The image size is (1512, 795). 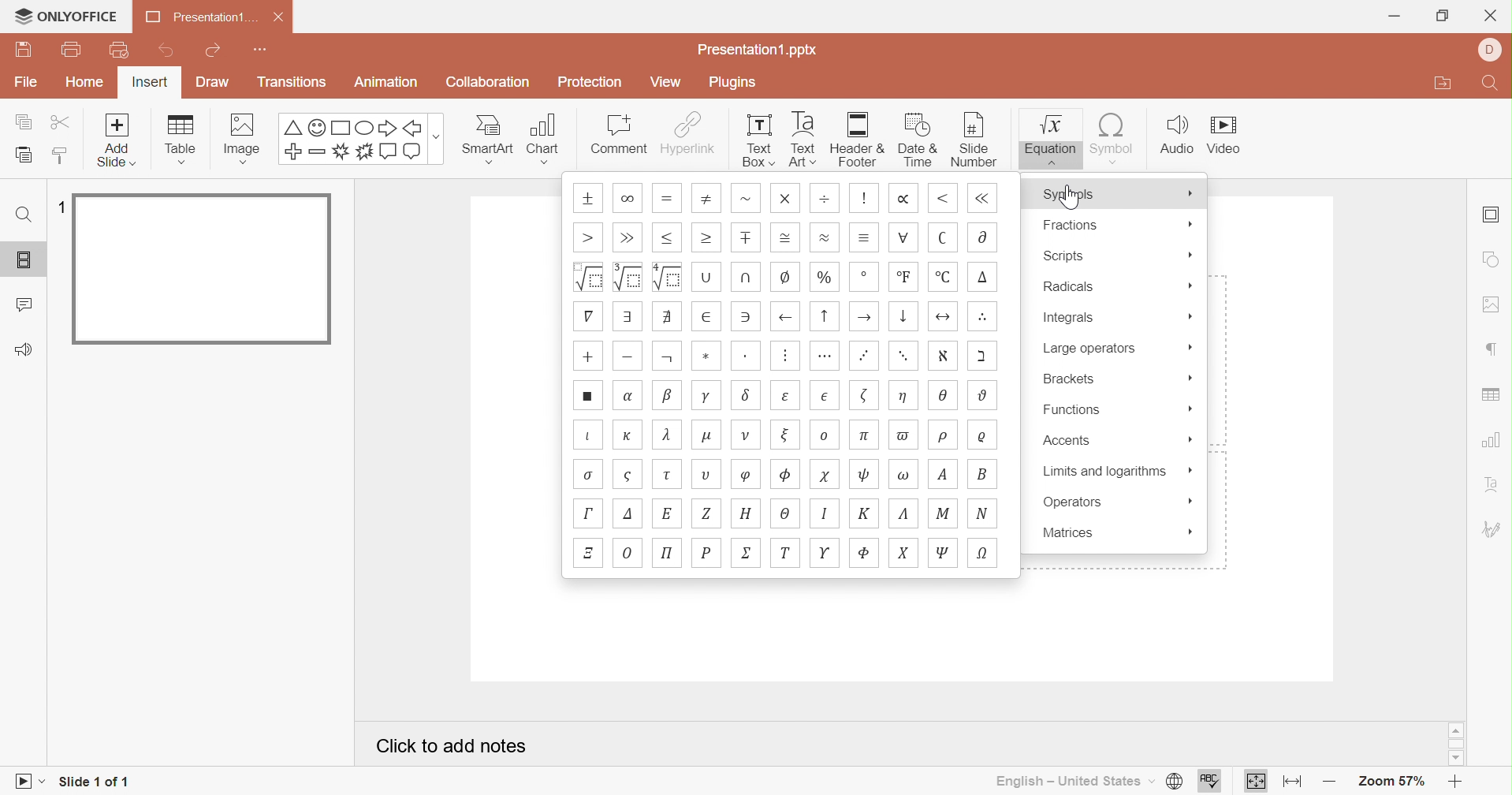 I want to click on Symbols, so click(x=1115, y=192).